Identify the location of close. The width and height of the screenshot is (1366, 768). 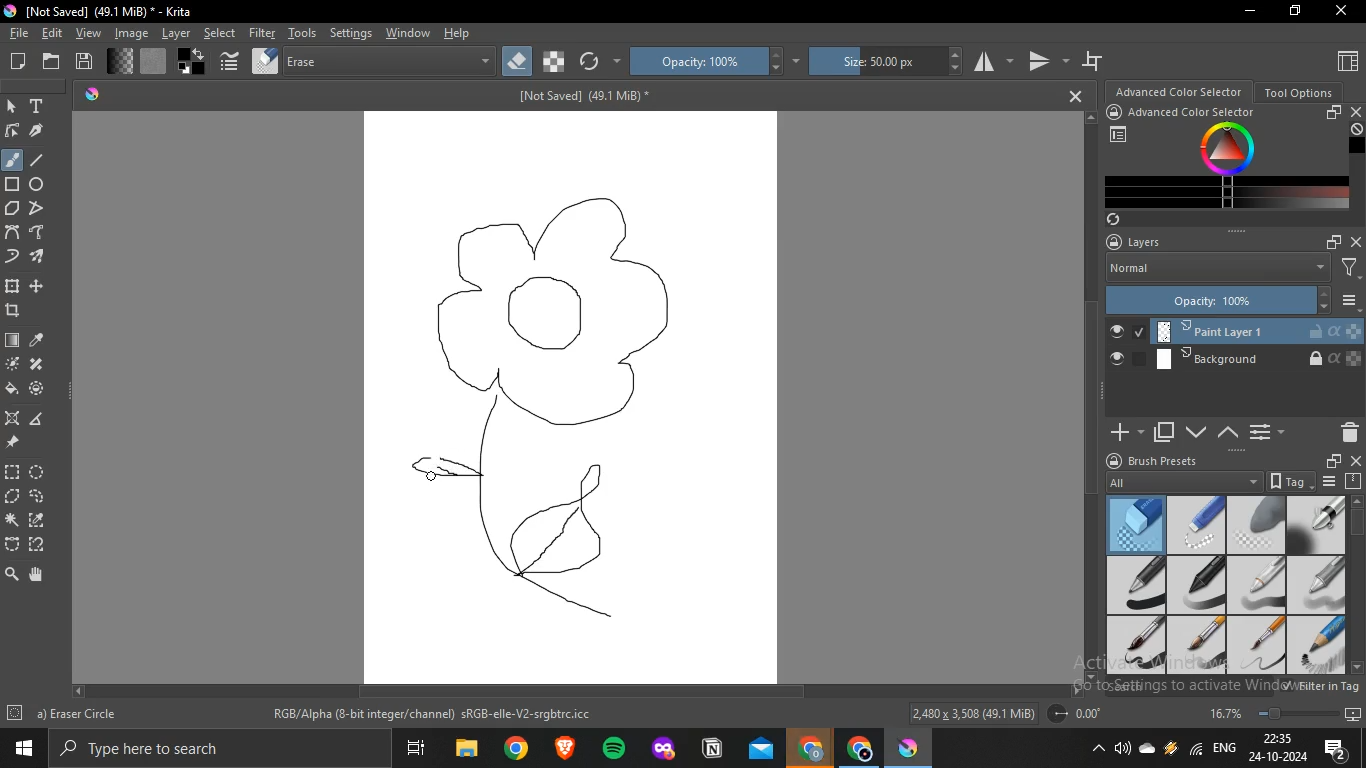
(1356, 111).